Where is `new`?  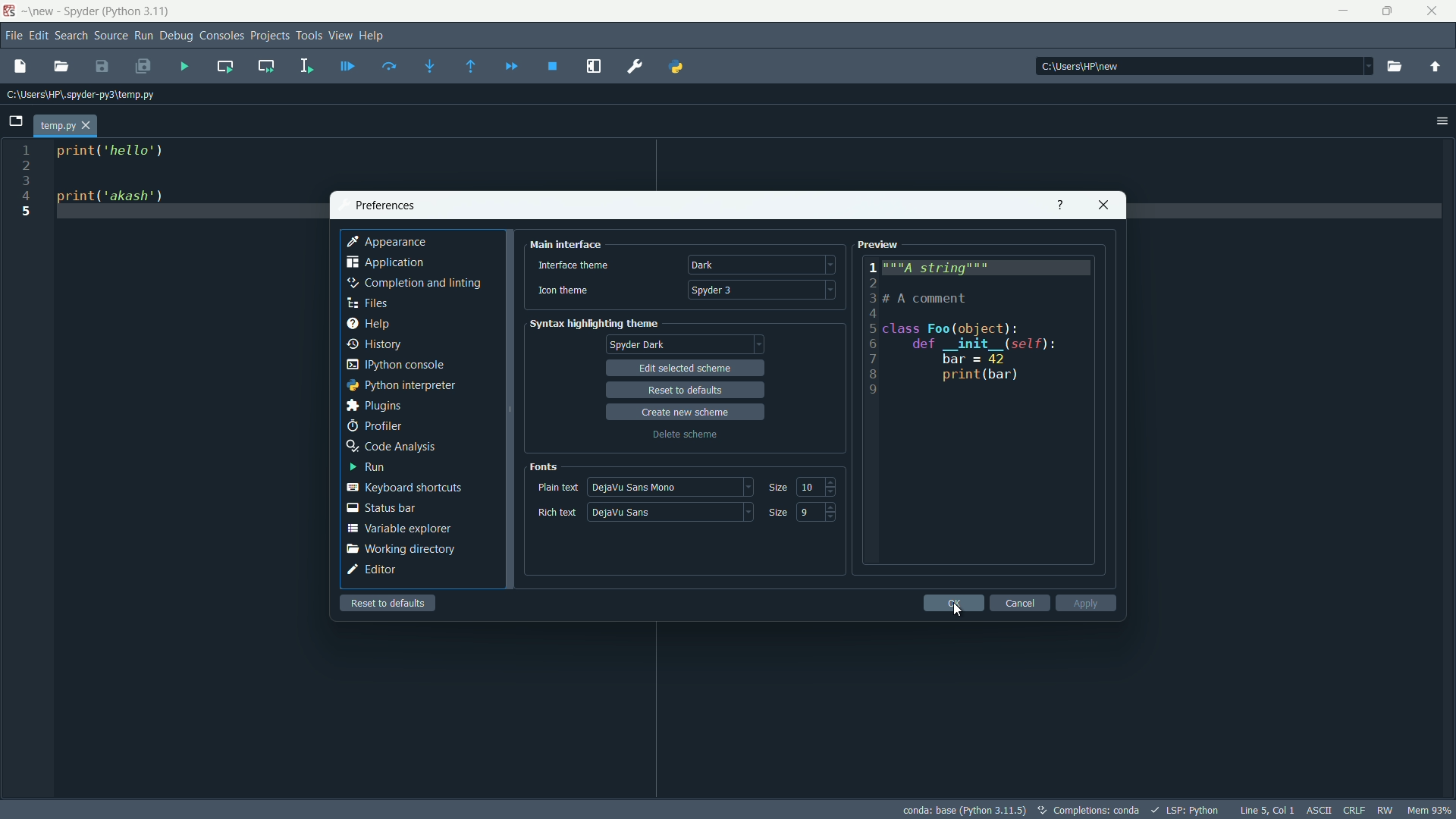
new is located at coordinates (40, 14).